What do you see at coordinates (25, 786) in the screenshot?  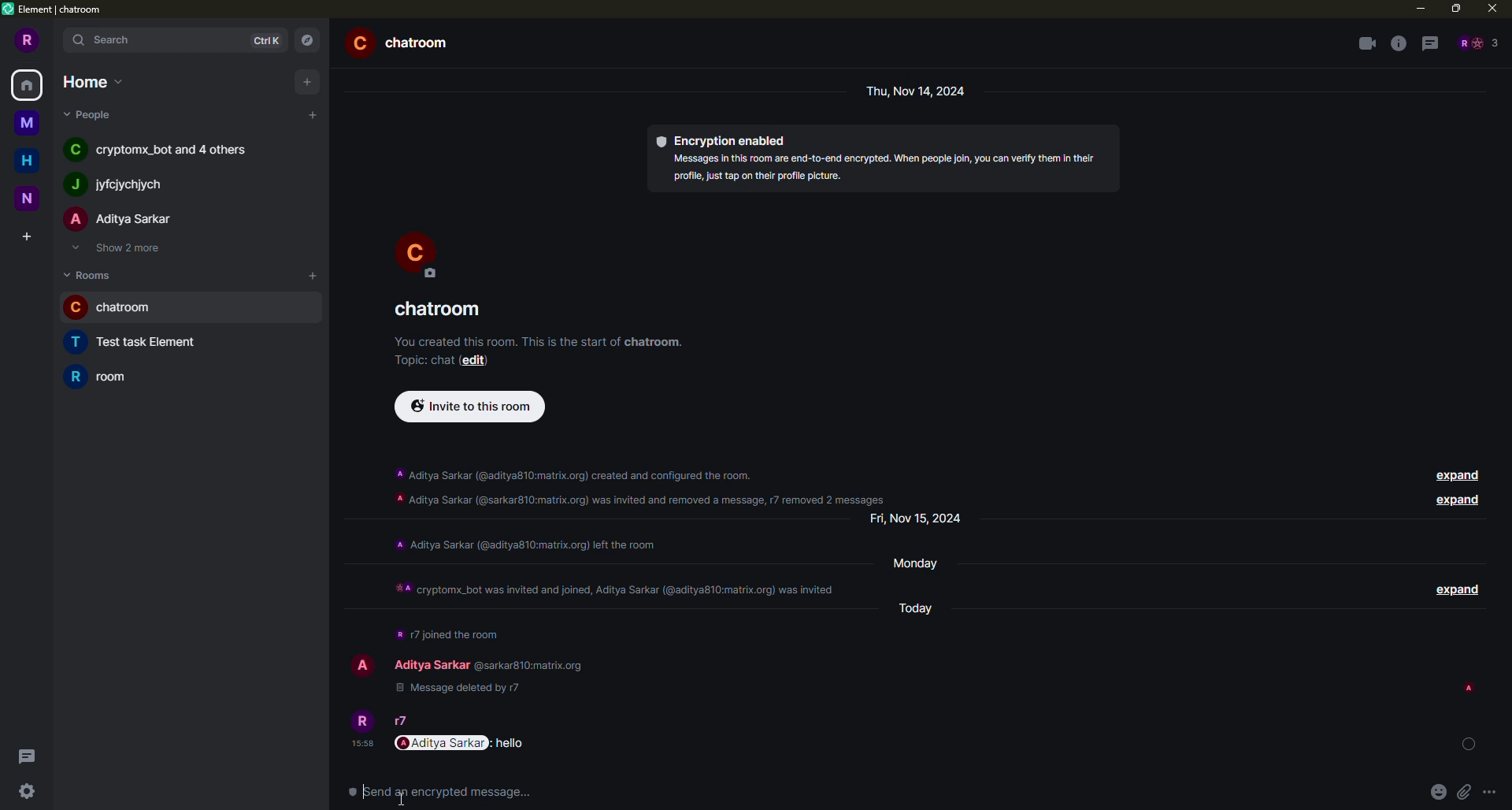 I see `quick settings` at bounding box center [25, 786].